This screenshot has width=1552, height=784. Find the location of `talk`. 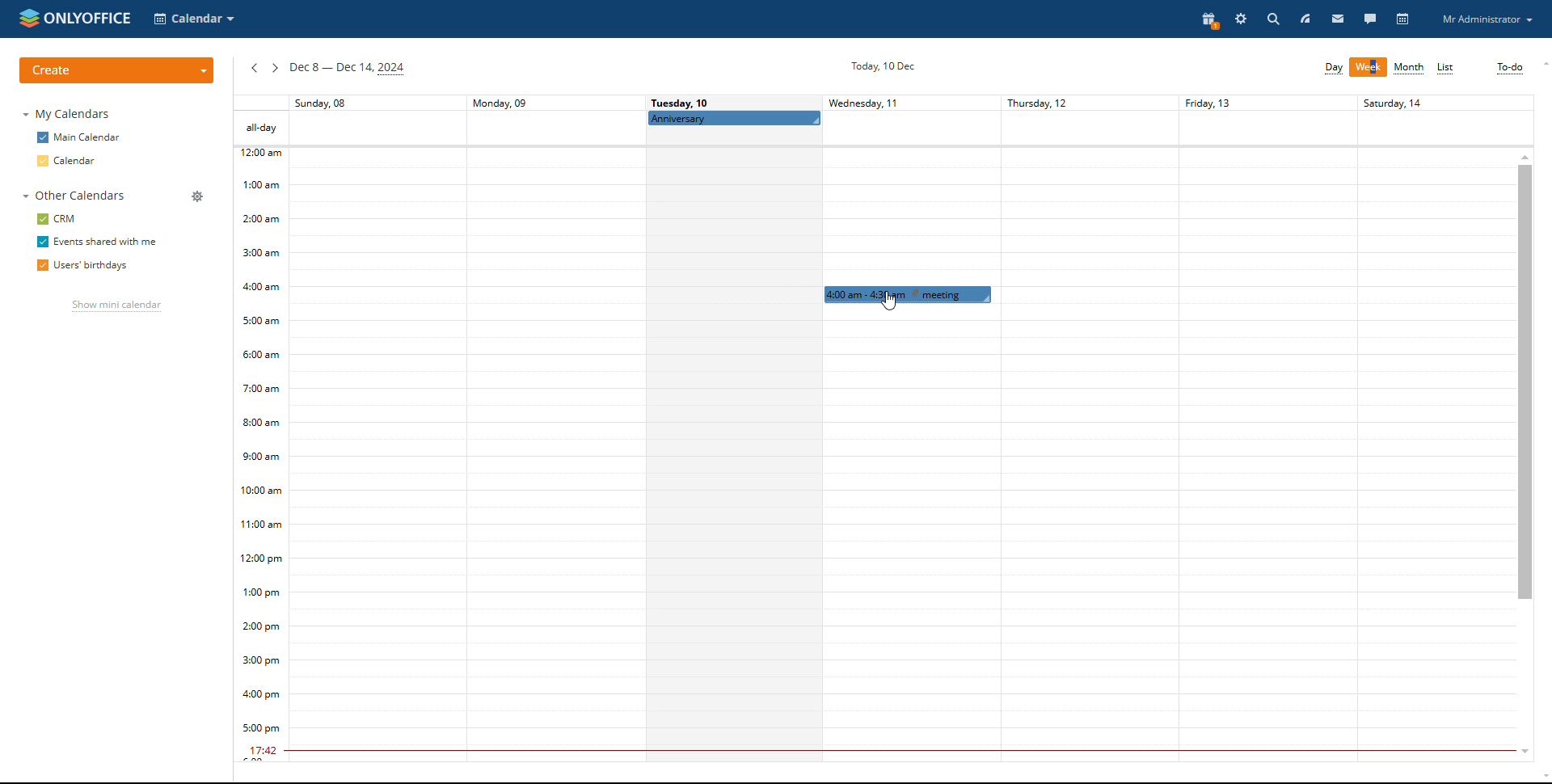

talk is located at coordinates (1369, 18).